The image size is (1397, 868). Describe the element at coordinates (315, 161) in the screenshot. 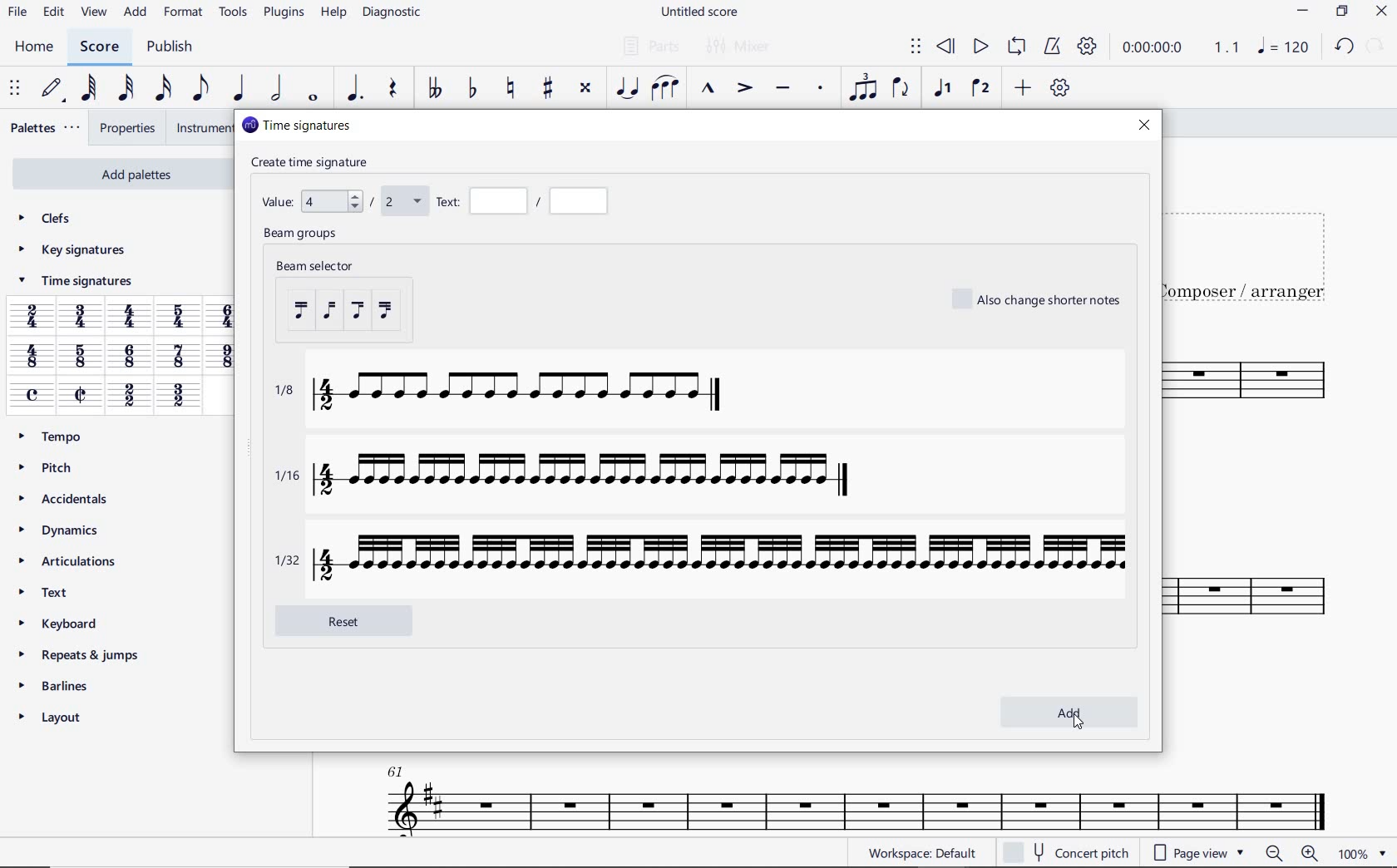

I see `create time signature` at that location.